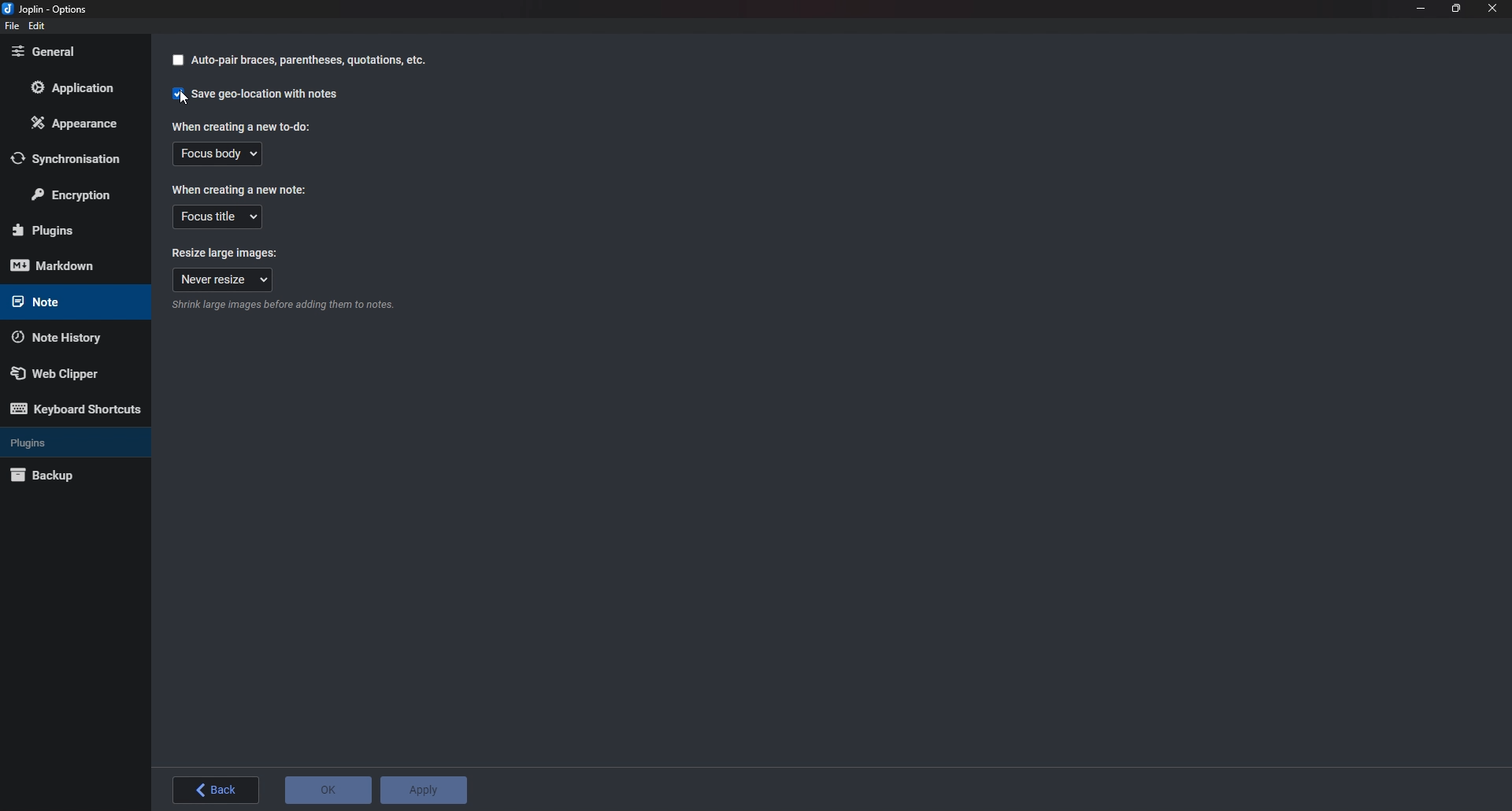 The image size is (1512, 811). What do you see at coordinates (217, 156) in the screenshot?
I see `Focus body` at bounding box center [217, 156].